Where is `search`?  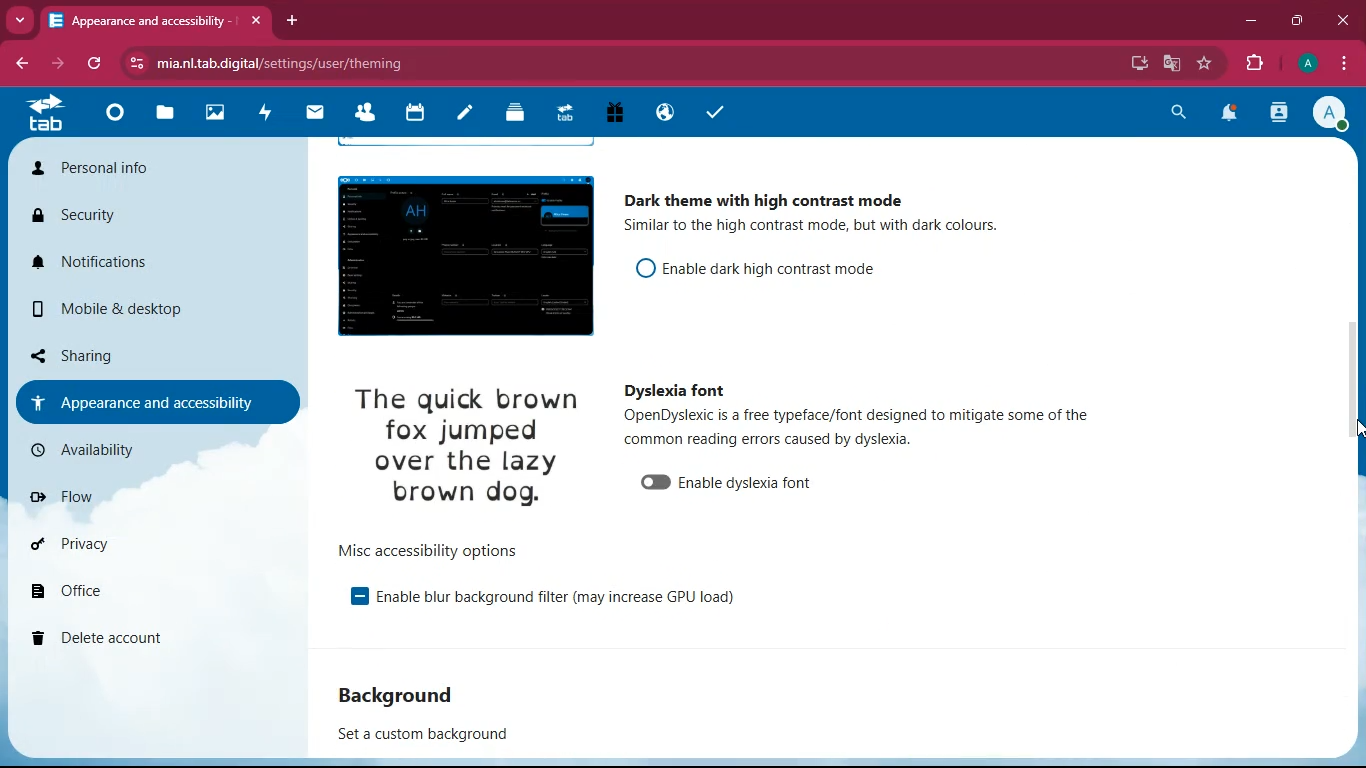 search is located at coordinates (1177, 112).